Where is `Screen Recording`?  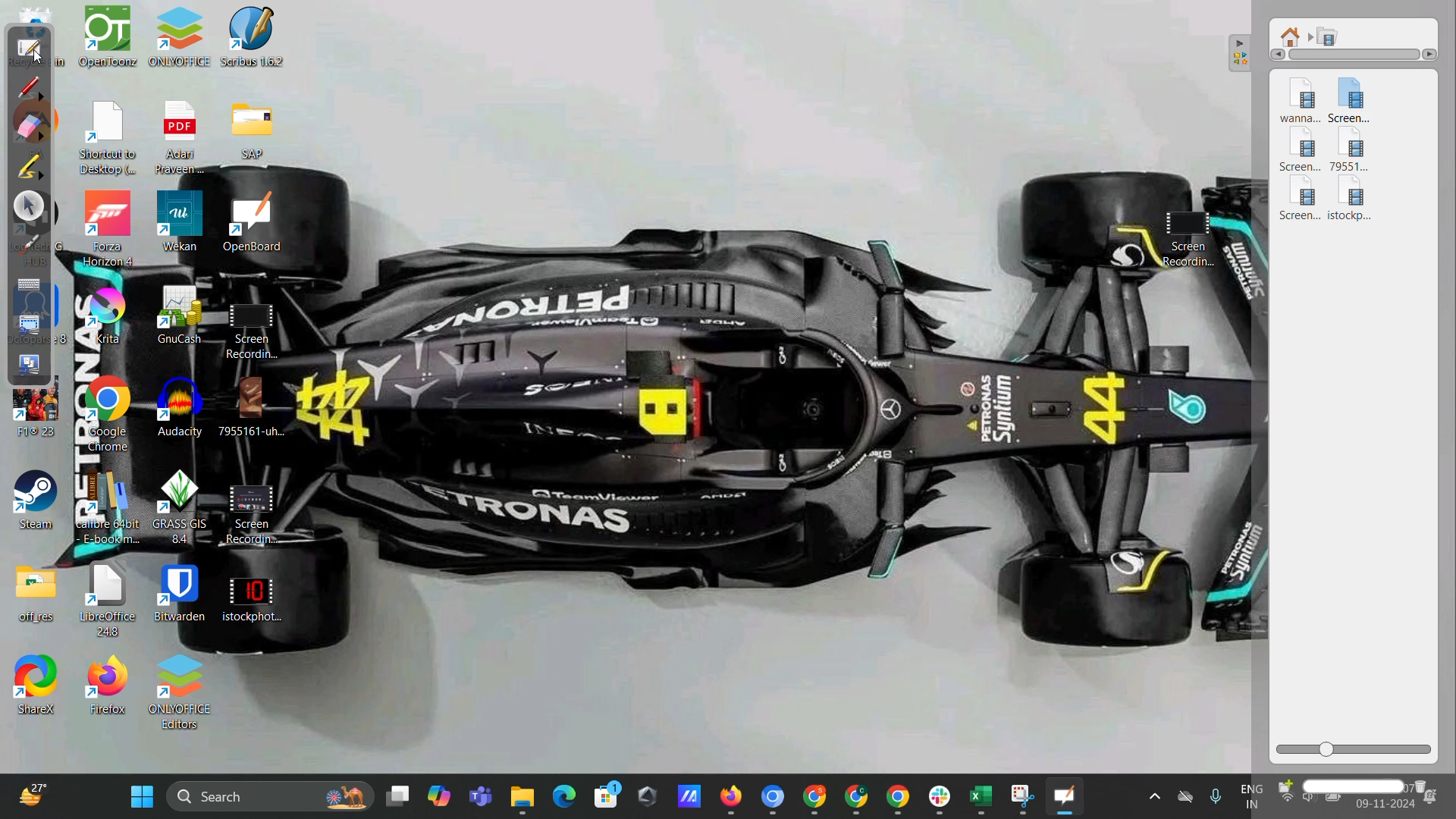
Screen Recording is located at coordinates (259, 329).